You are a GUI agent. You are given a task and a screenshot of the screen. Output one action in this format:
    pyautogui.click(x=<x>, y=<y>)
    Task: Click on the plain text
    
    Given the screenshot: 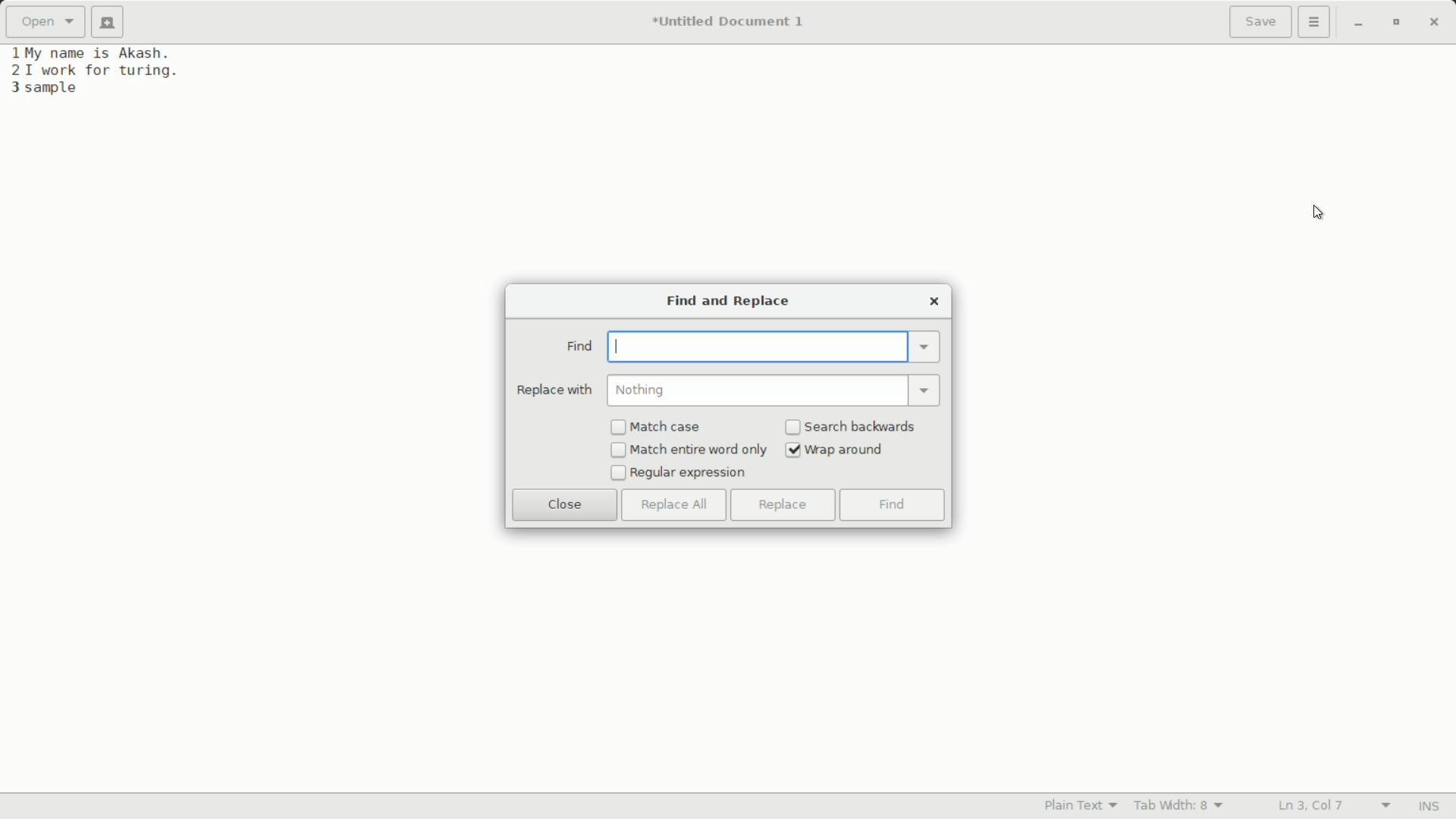 What is the action you would take?
    pyautogui.click(x=1084, y=805)
    